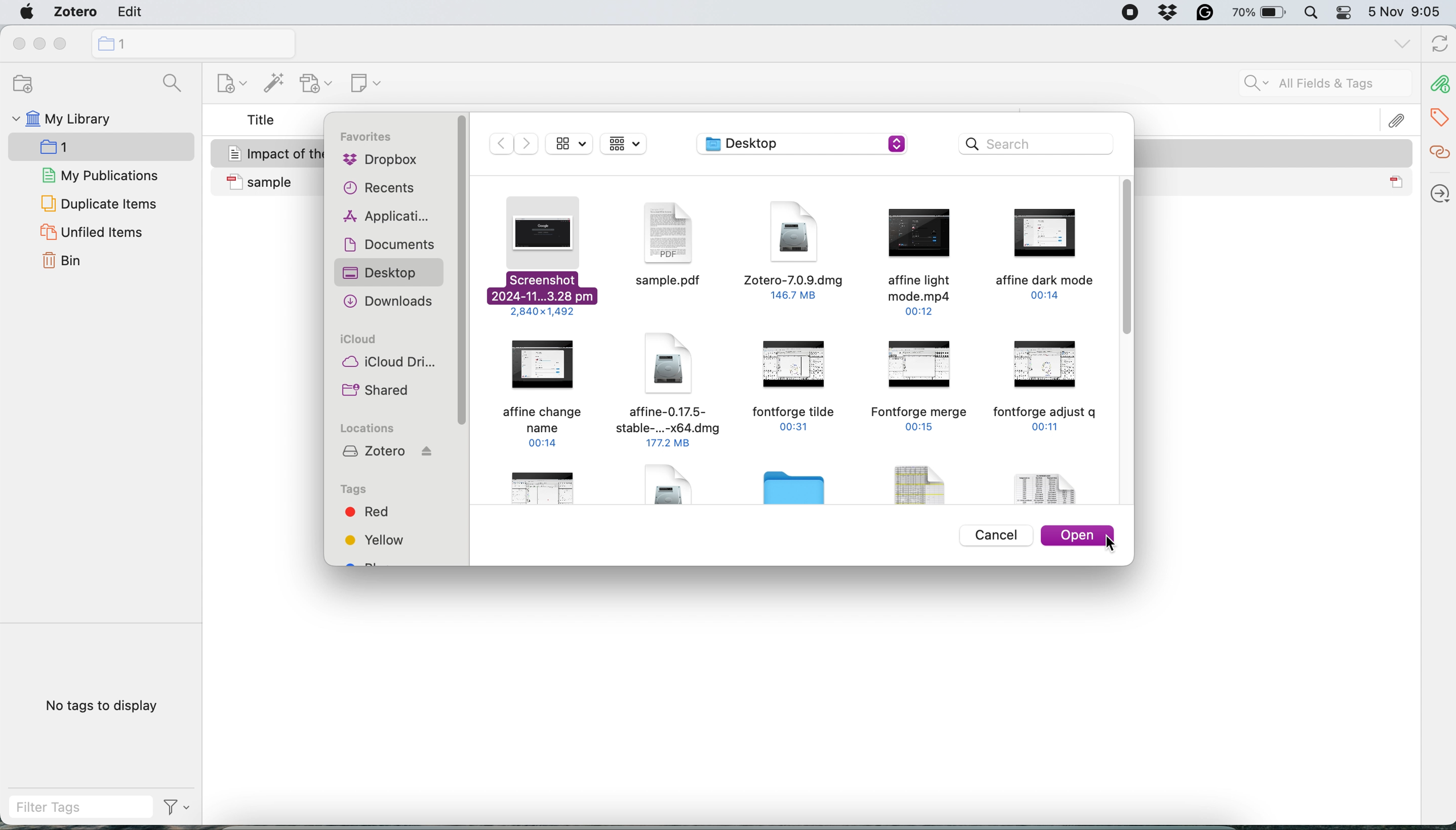 Image resolution: width=1456 pixels, height=830 pixels. What do you see at coordinates (1441, 115) in the screenshot?
I see `tags` at bounding box center [1441, 115].